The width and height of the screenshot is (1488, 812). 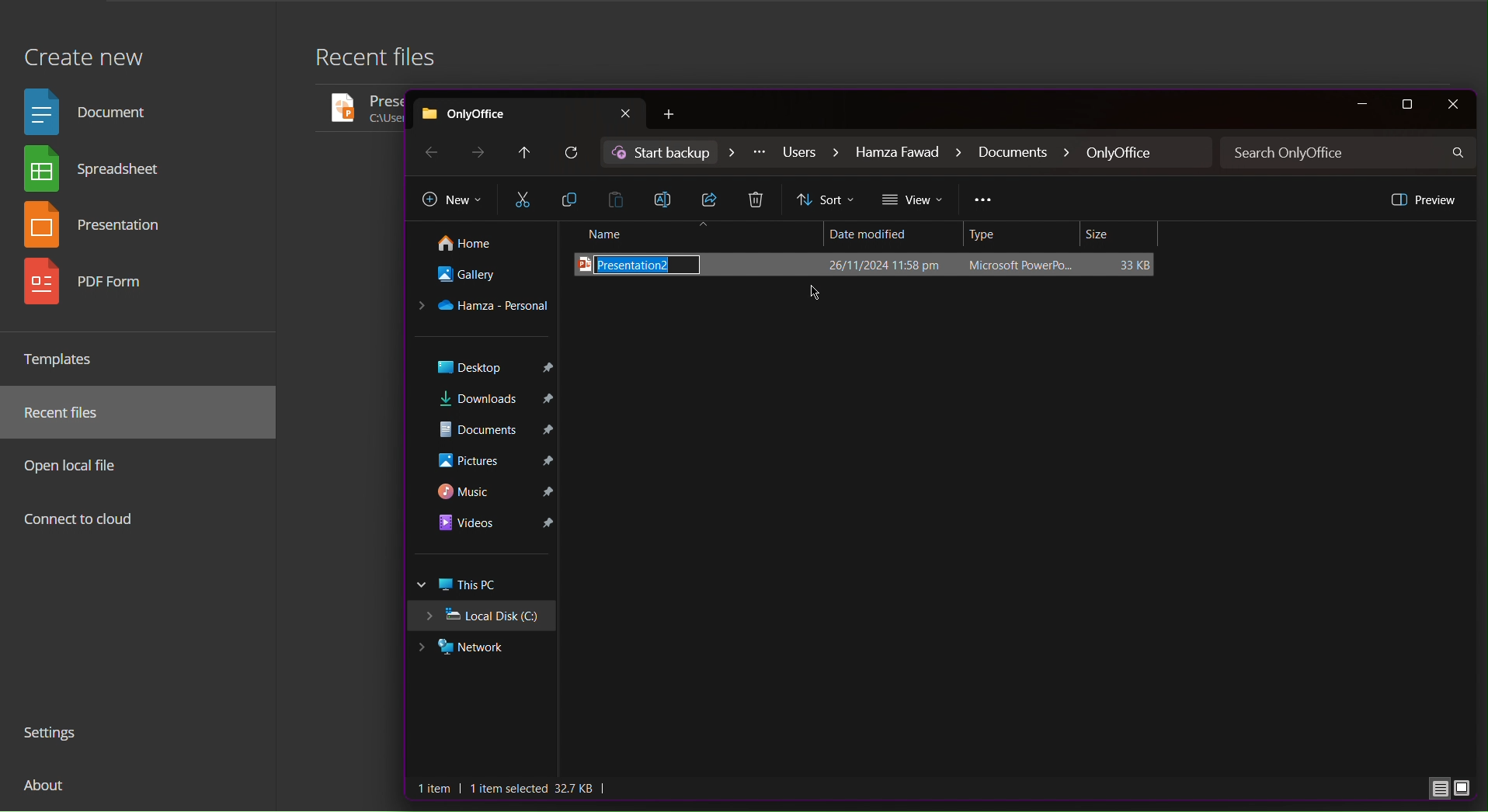 I want to click on Recent files, so click(x=385, y=61).